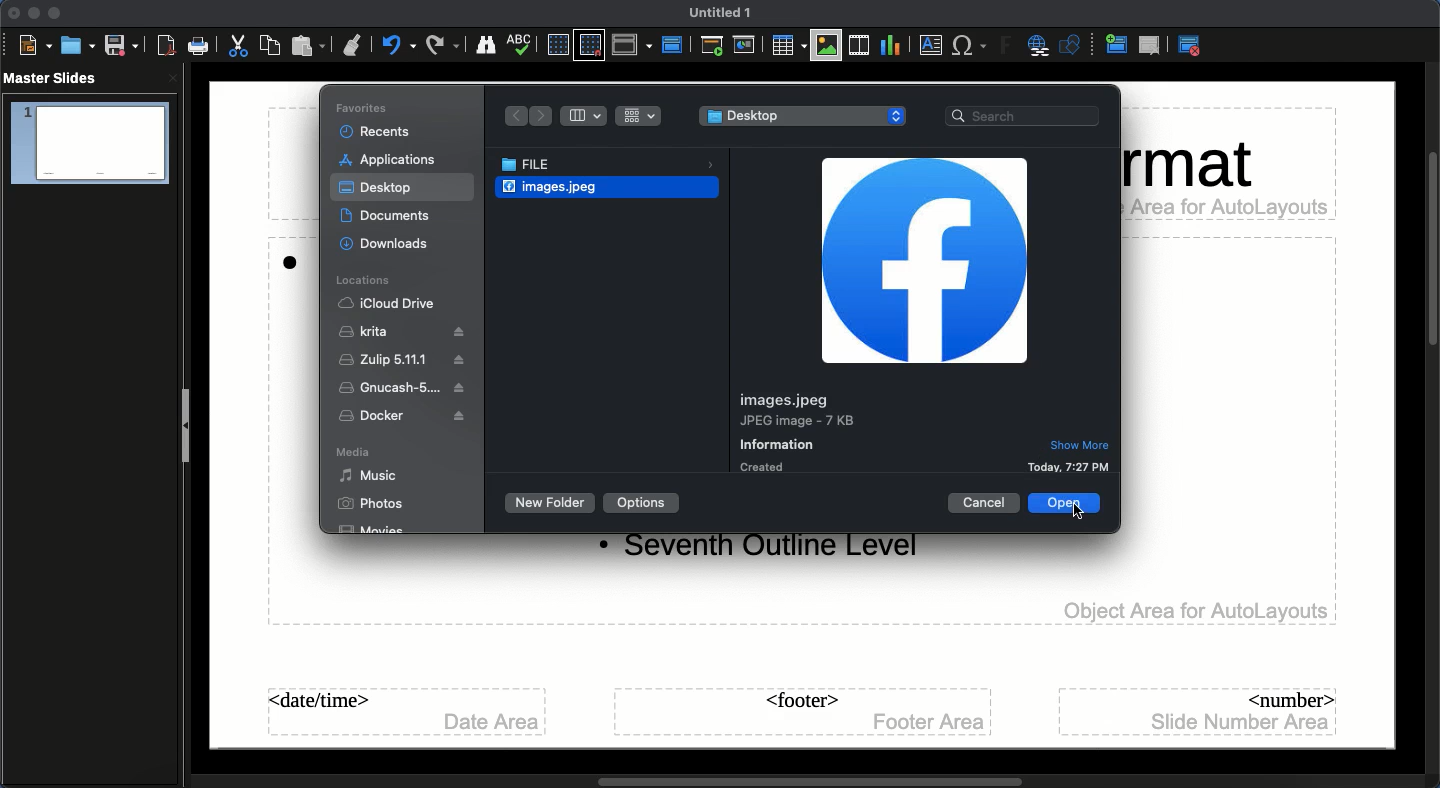 Image resolution: width=1440 pixels, height=788 pixels. Describe the element at coordinates (589, 45) in the screenshot. I see `Snap to grid` at that location.